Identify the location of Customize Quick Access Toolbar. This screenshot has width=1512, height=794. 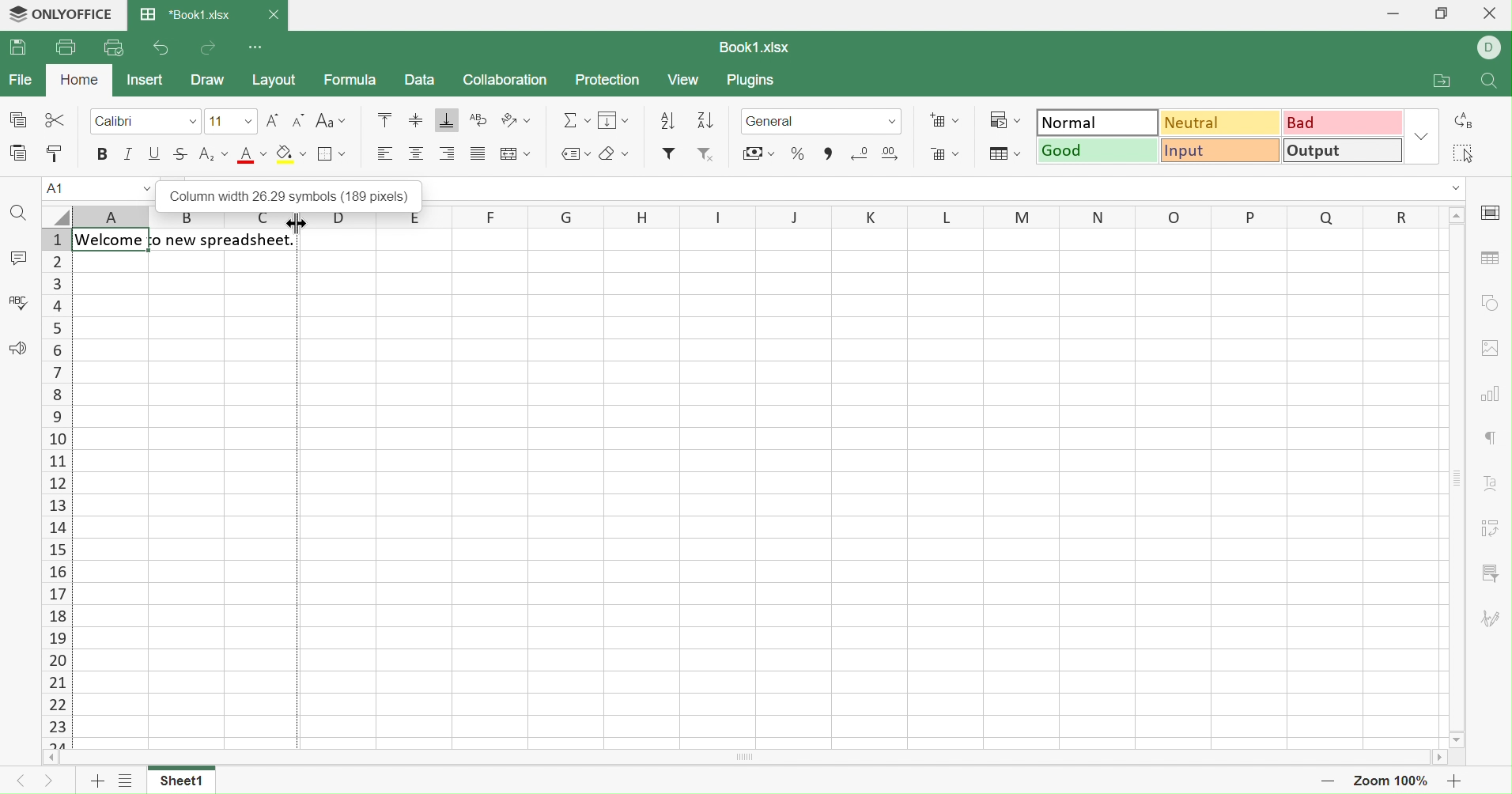
(257, 49).